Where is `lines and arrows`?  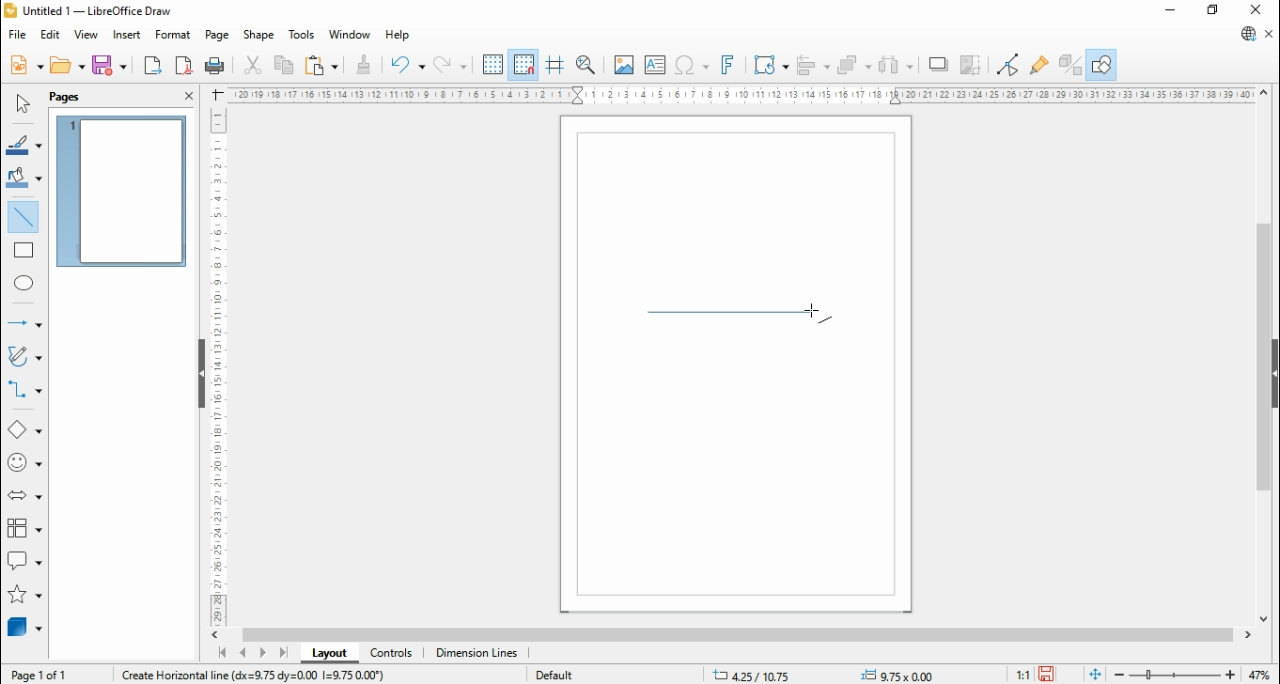 lines and arrows is located at coordinates (22, 323).